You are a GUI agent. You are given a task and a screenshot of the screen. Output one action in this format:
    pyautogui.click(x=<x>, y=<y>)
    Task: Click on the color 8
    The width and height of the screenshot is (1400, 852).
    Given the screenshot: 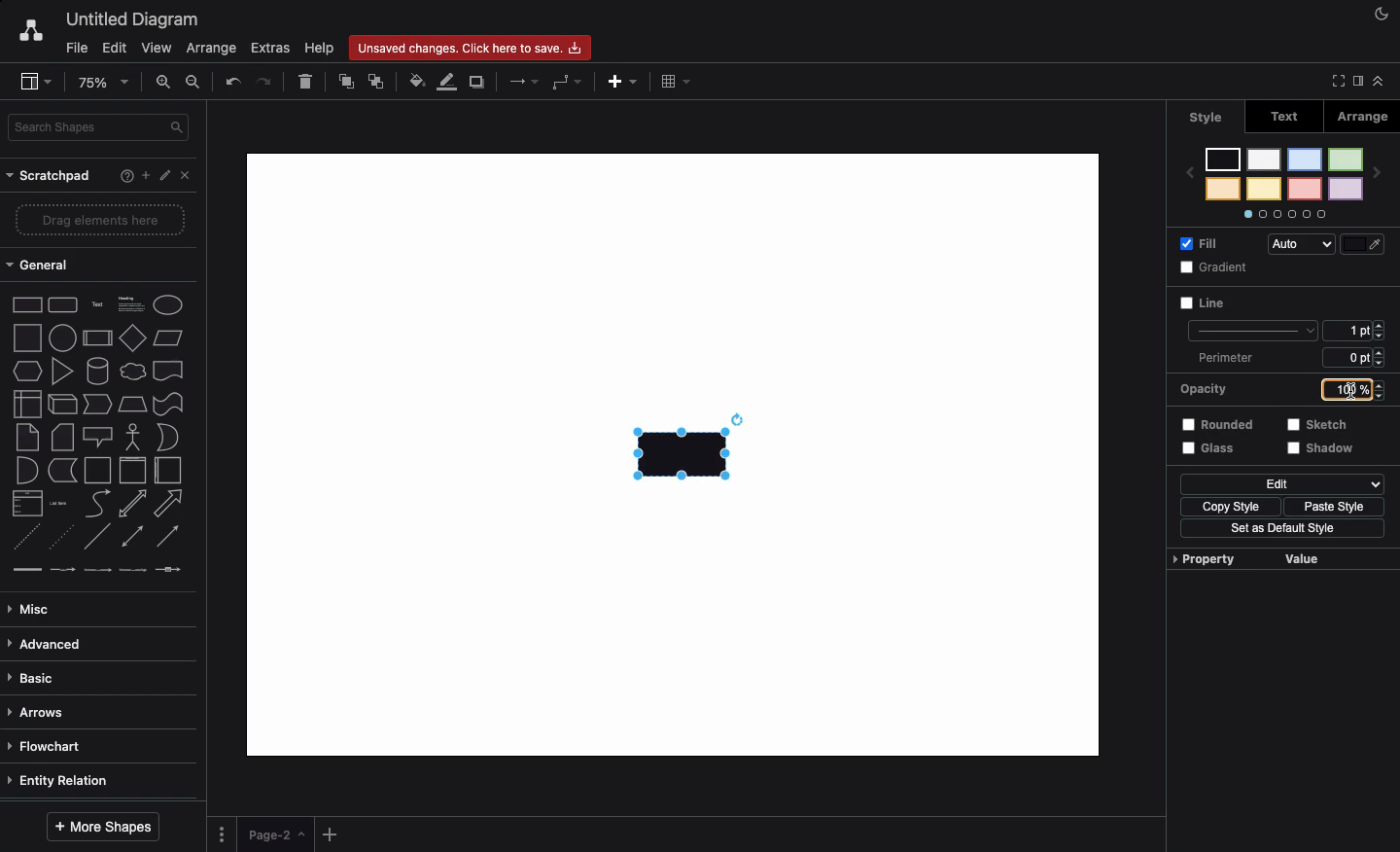 What is the action you would take?
    pyautogui.click(x=1222, y=189)
    